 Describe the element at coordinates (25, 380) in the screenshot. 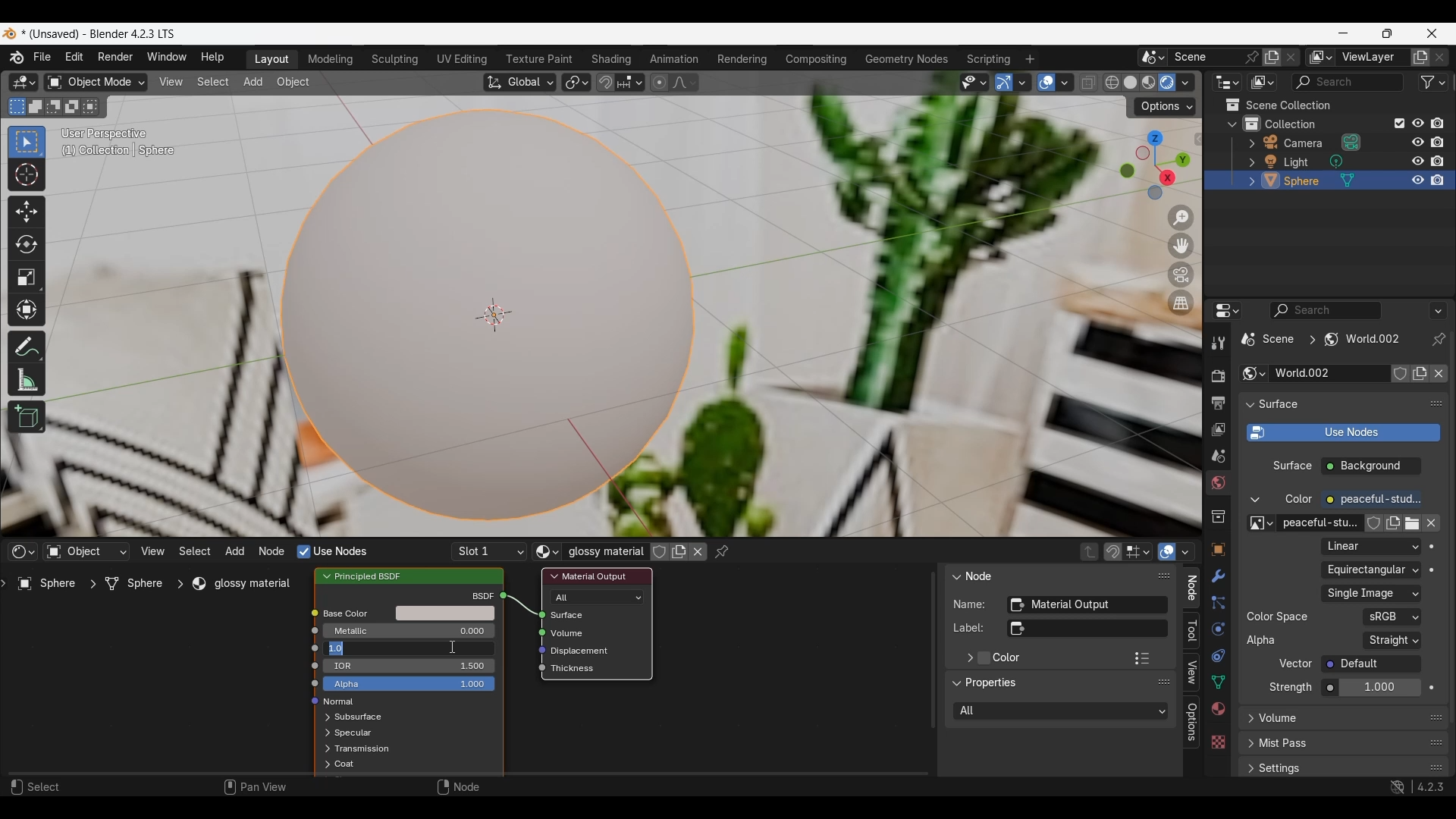

I see `Measure` at that location.